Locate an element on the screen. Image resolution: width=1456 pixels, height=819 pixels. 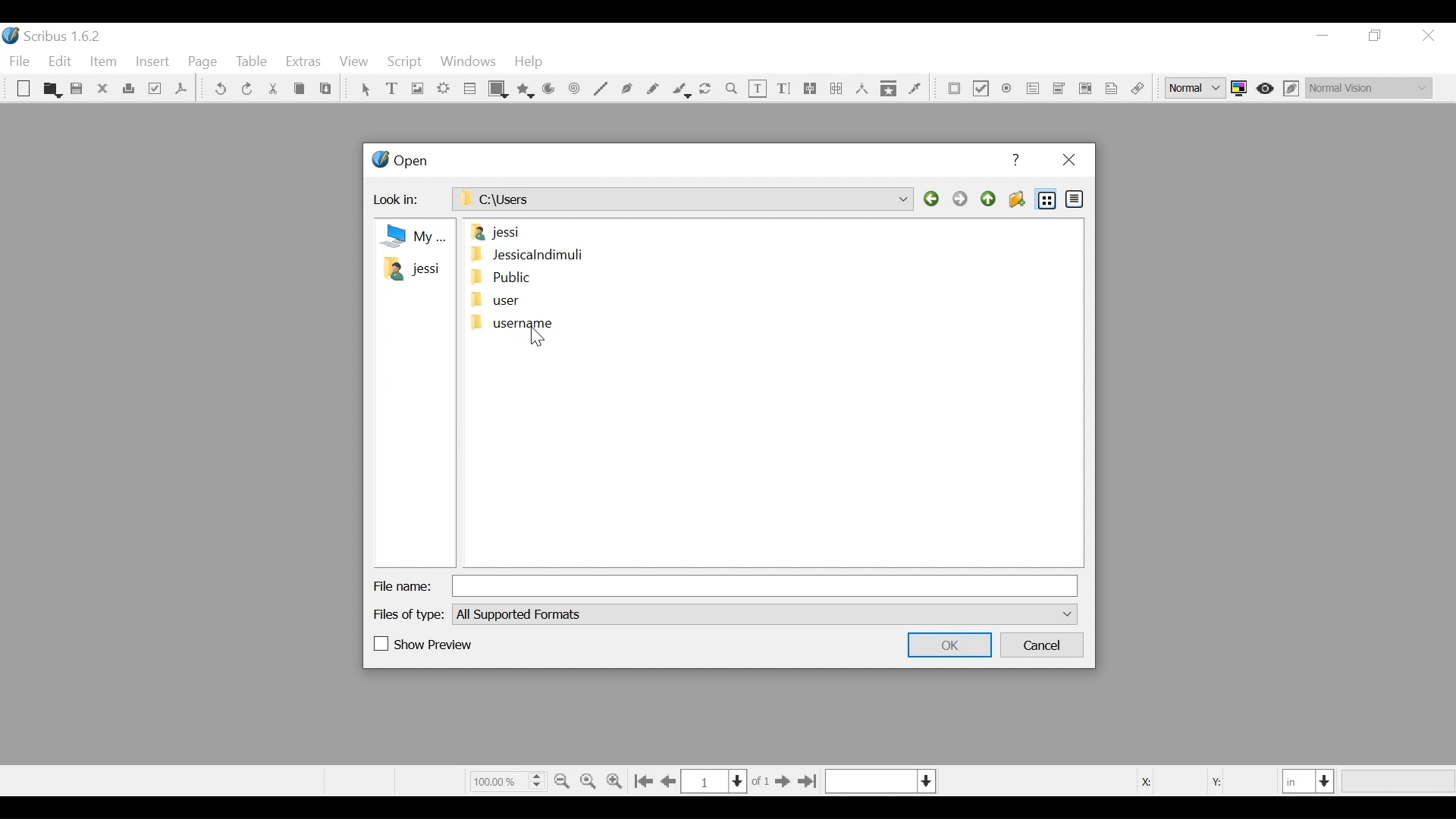
Open is located at coordinates (399, 162).